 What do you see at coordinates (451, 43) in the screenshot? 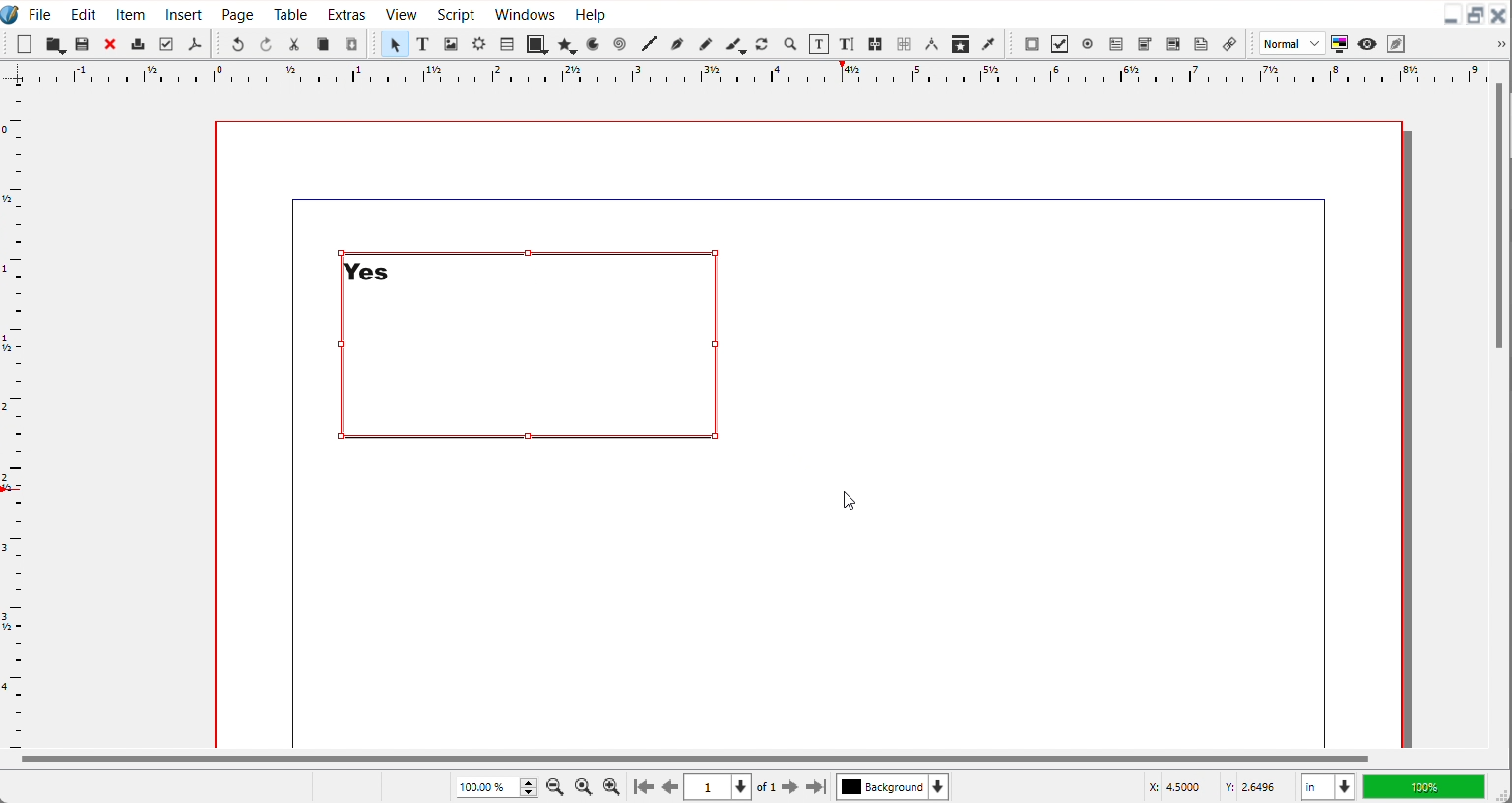
I see `Image Frame` at bounding box center [451, 43].